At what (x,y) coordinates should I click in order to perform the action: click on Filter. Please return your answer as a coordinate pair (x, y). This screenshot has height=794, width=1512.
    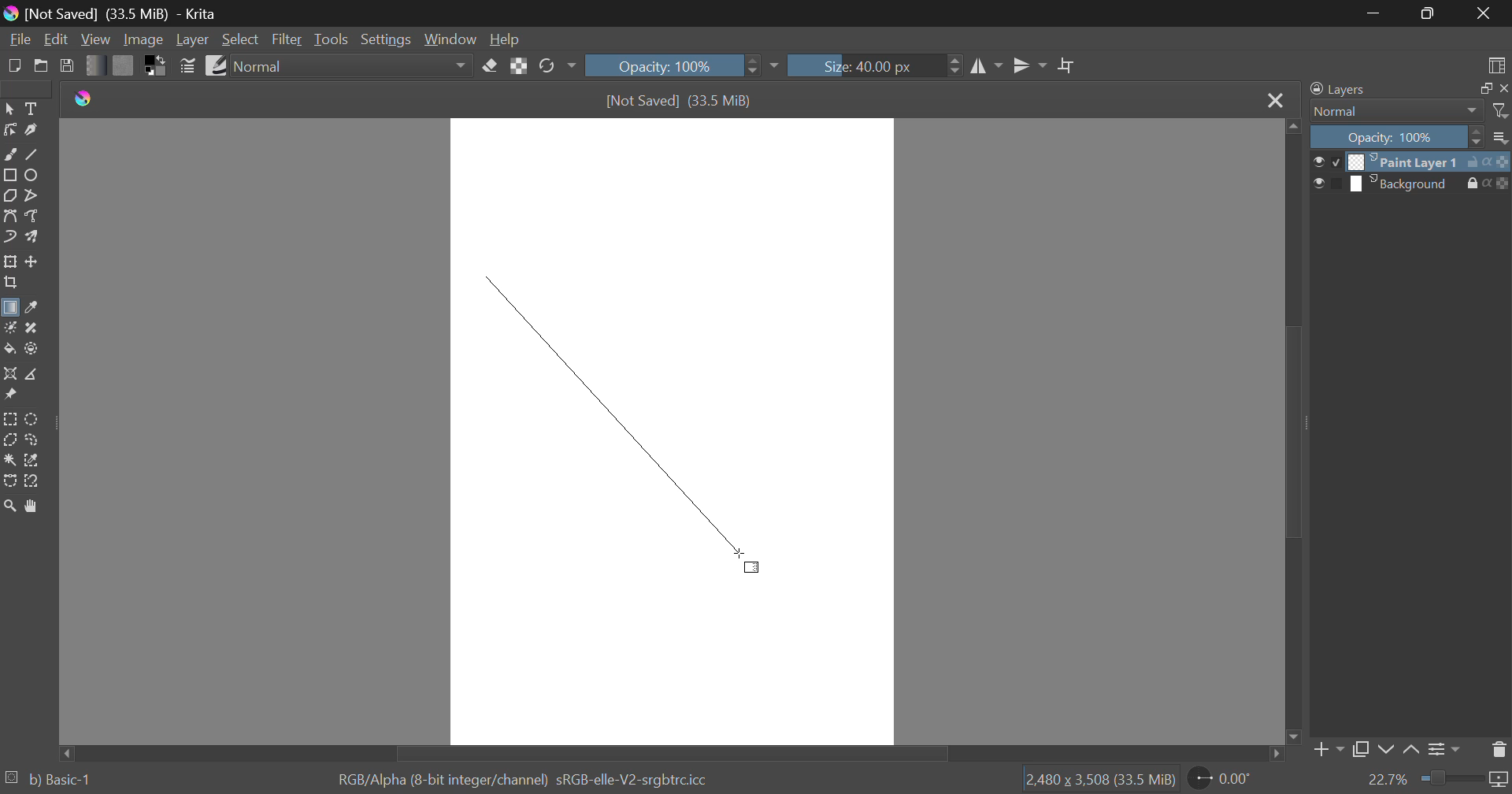
    Looking at the image, I should click on (288, 39).